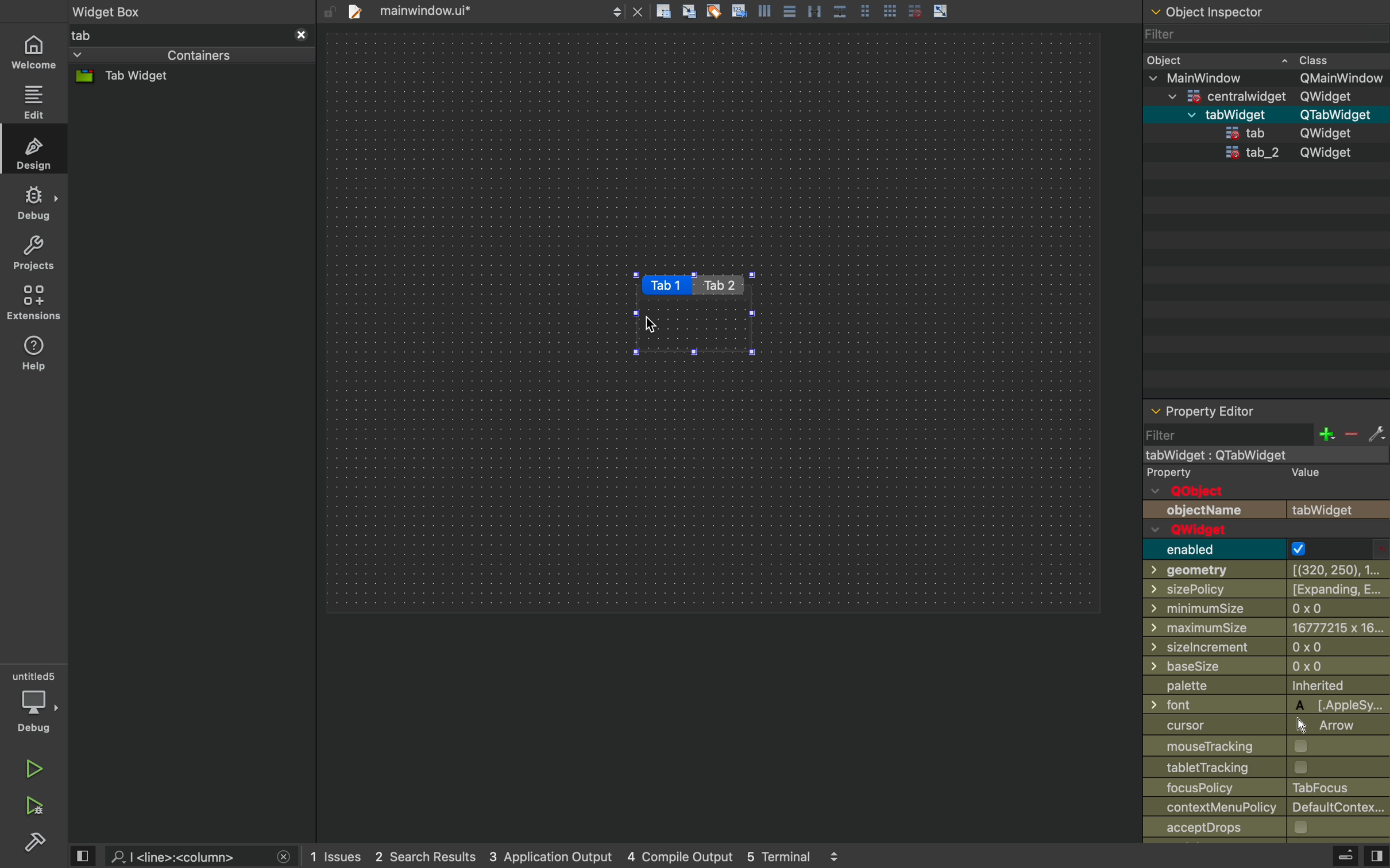 The image size is (1390, 868). I want to click on disable grid snap, so click(915, 10).